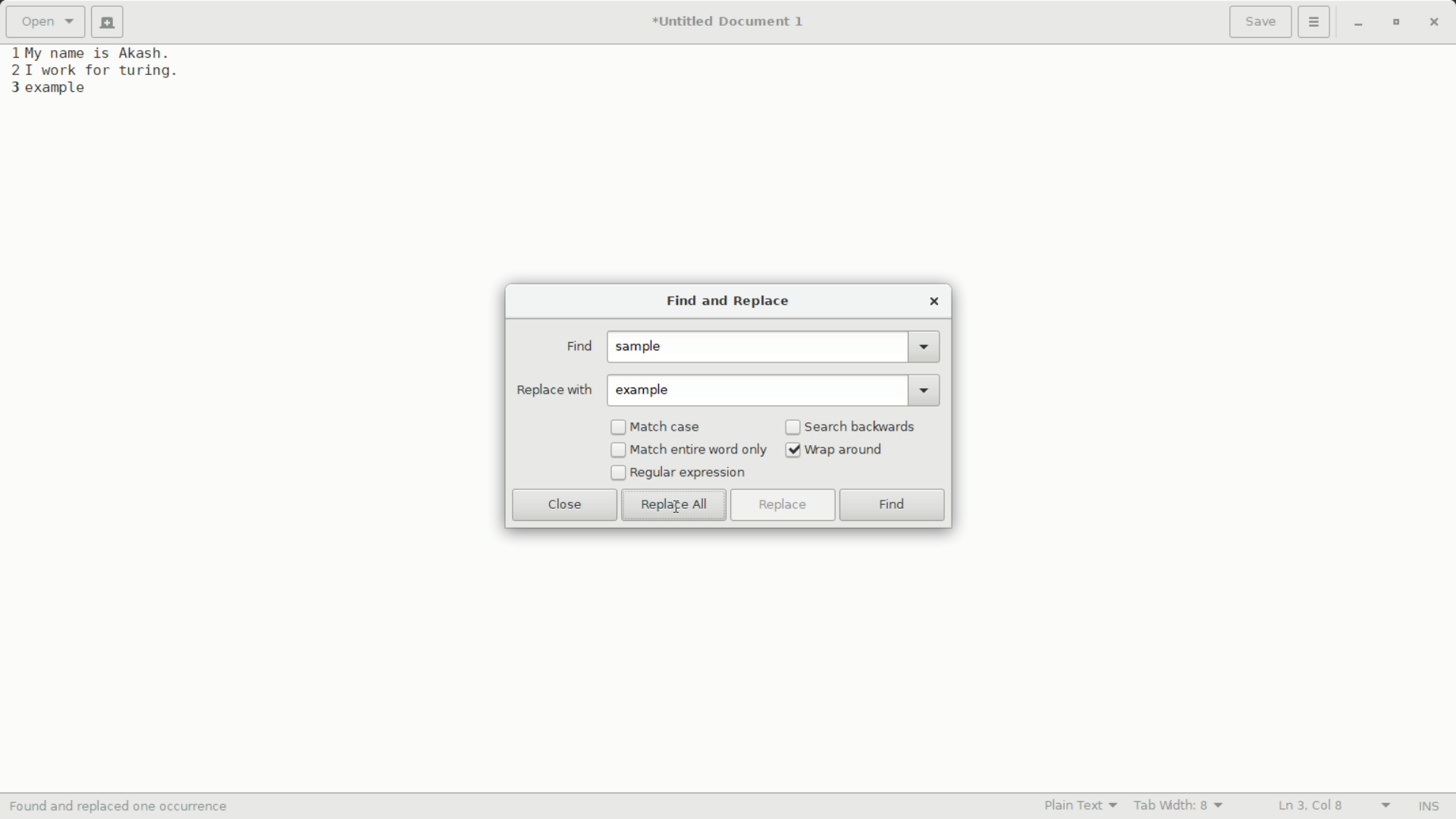  Describe the element at coordinates (643, 347) in the screenshot. I see `sample` at that location.